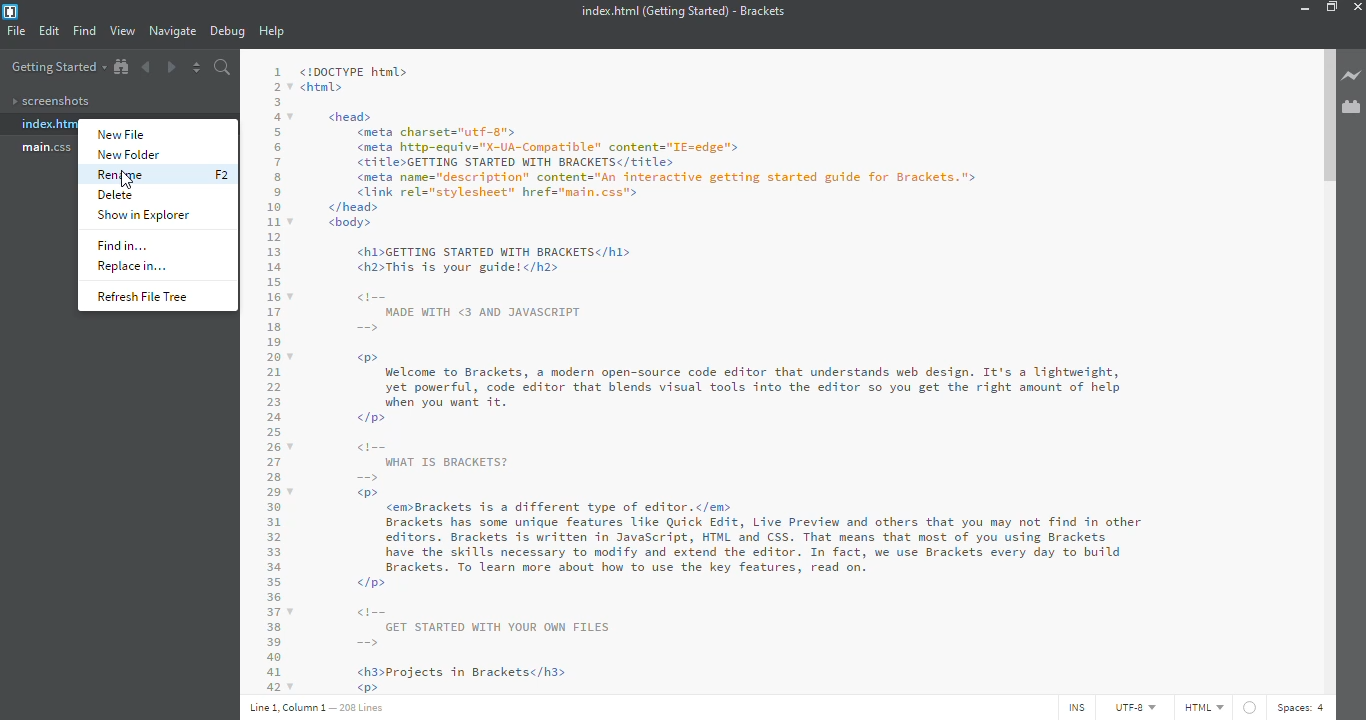 The image size is (1366, 720). I want to click on edit, so click(49, 32).